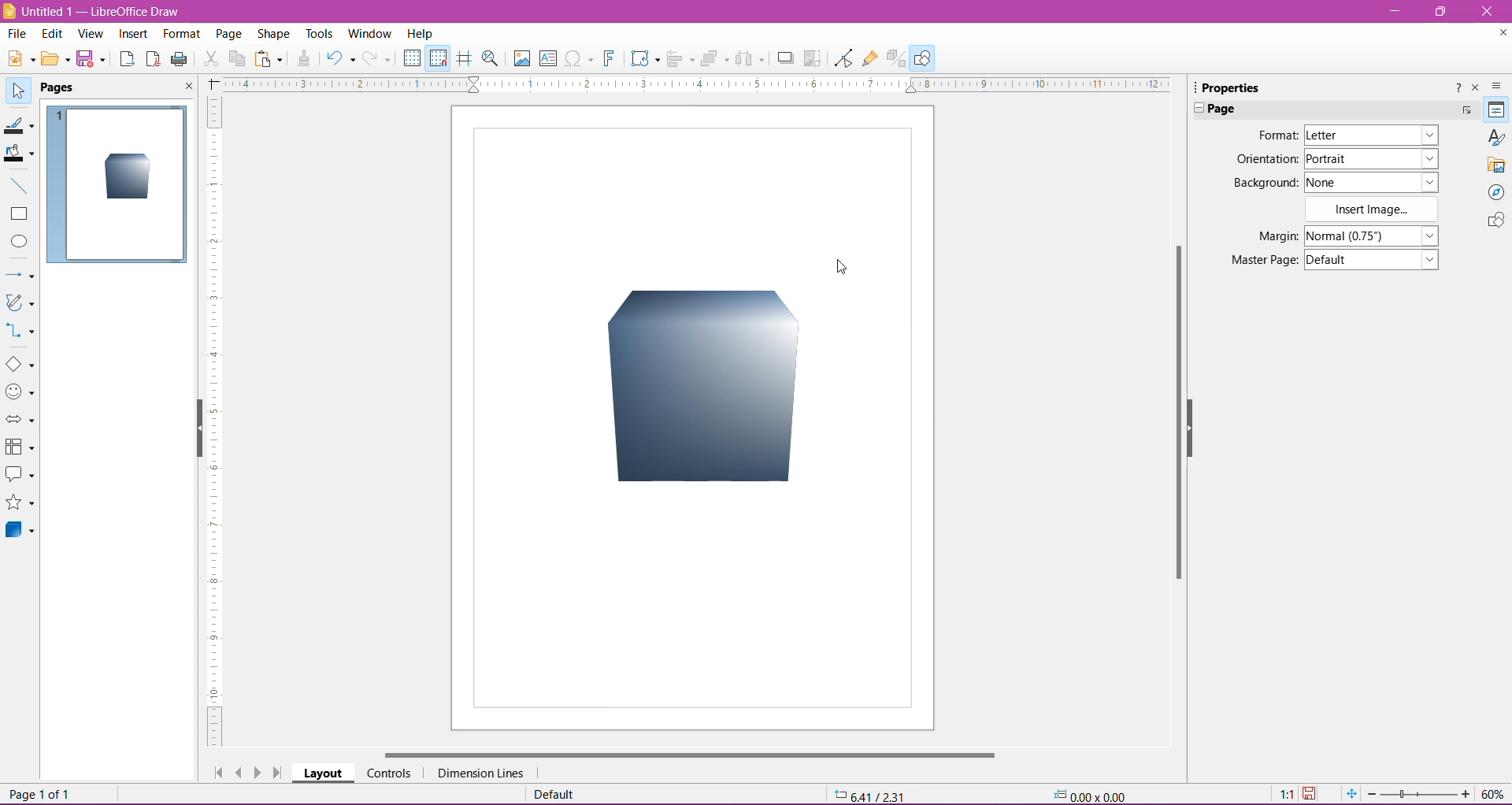 The image size is (1512, 805). Describe the element at coordinates (610, 58) in the screenshot. I see `Insert Fontwork Text` at that location.